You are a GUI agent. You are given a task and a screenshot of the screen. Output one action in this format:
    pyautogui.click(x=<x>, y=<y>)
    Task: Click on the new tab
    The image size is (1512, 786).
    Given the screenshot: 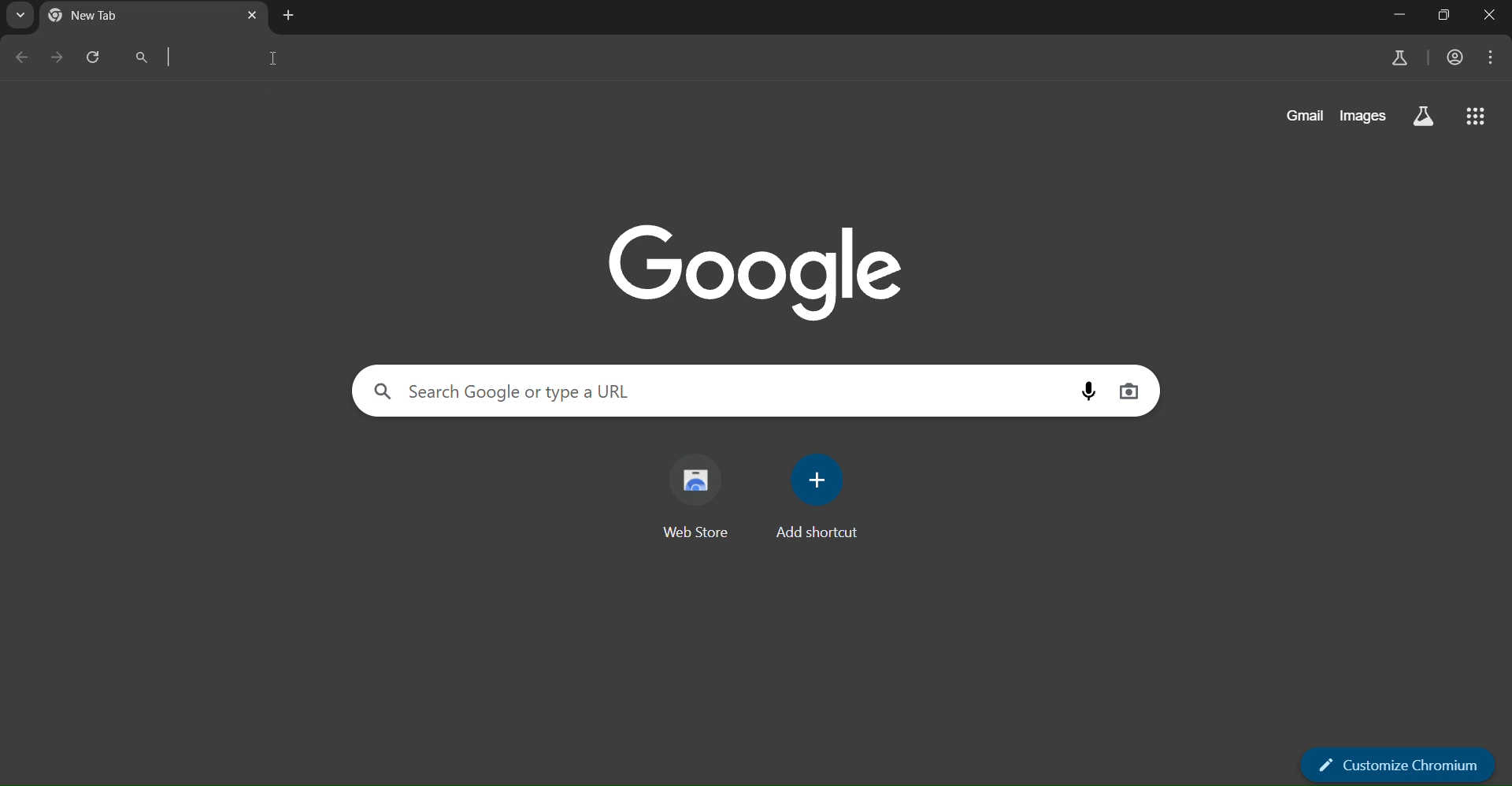 What is the action you would take?
    pyautogui.click(x=289, y=17)
    